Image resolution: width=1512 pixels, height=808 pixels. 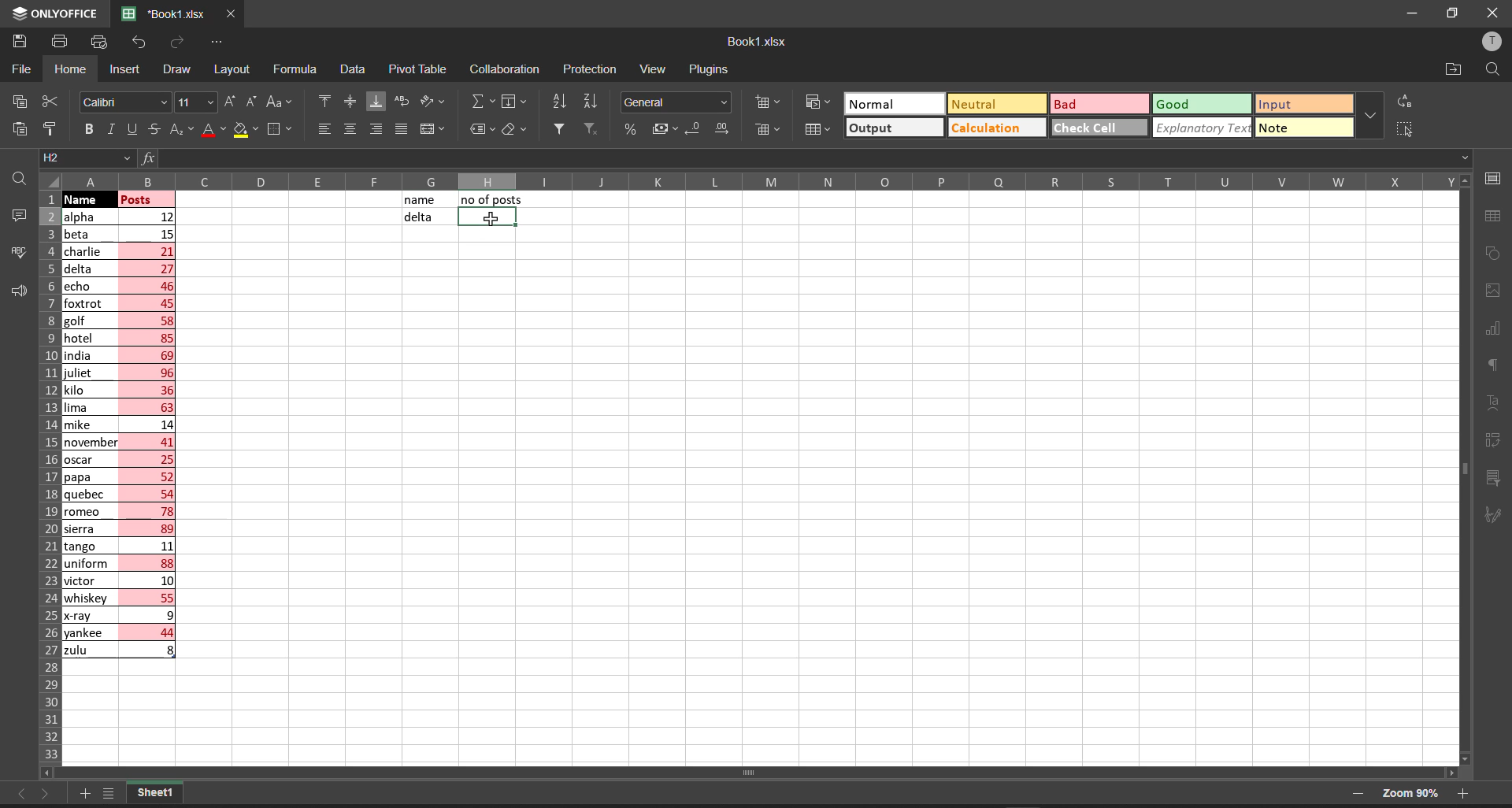 I want to click on shape settings, so click(x=1496, y=254).